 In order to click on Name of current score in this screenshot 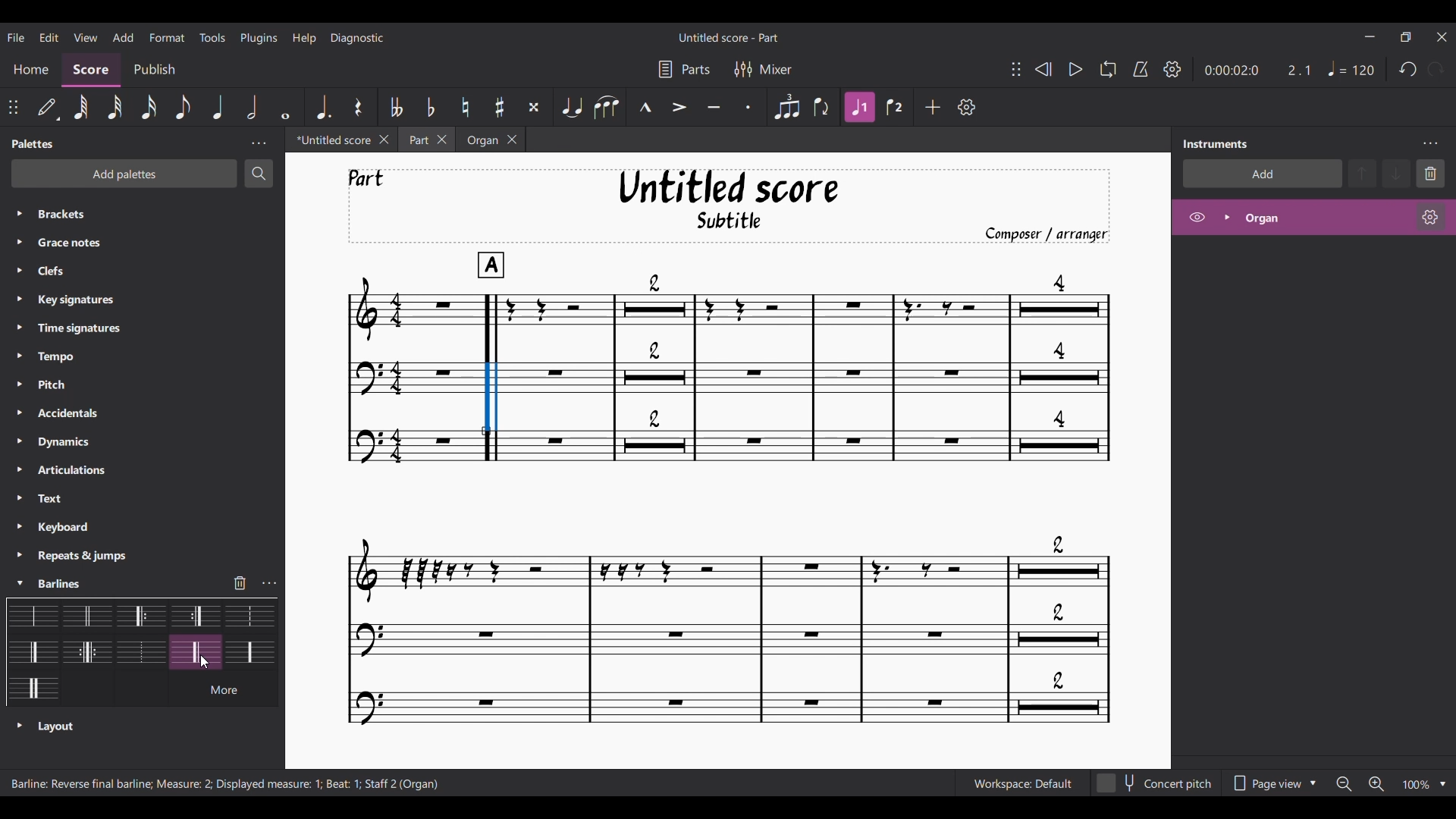, I will do `click(729, 37)`.